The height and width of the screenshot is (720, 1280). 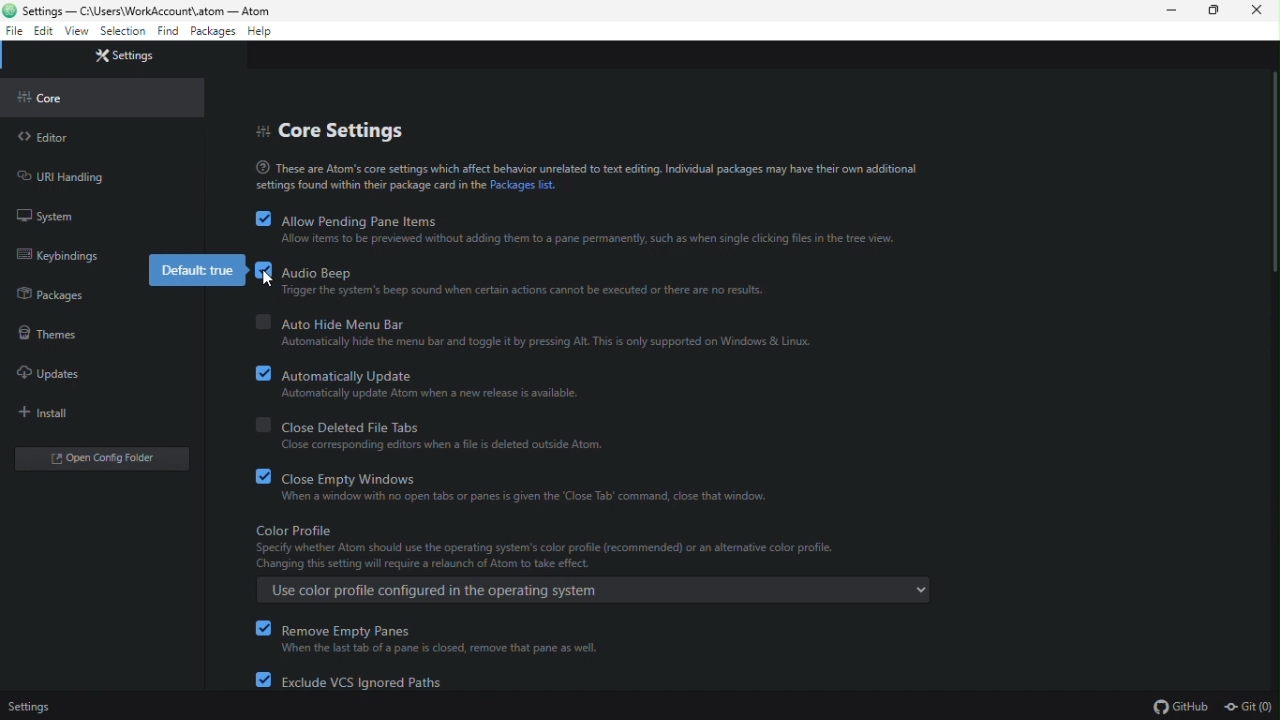 What do you see at coordinates (533, 501) in the screenshot?
I see `When a window with no open tabs or panes is given the 'Close tab' command, close that window.` at bounding box center [533, 501].